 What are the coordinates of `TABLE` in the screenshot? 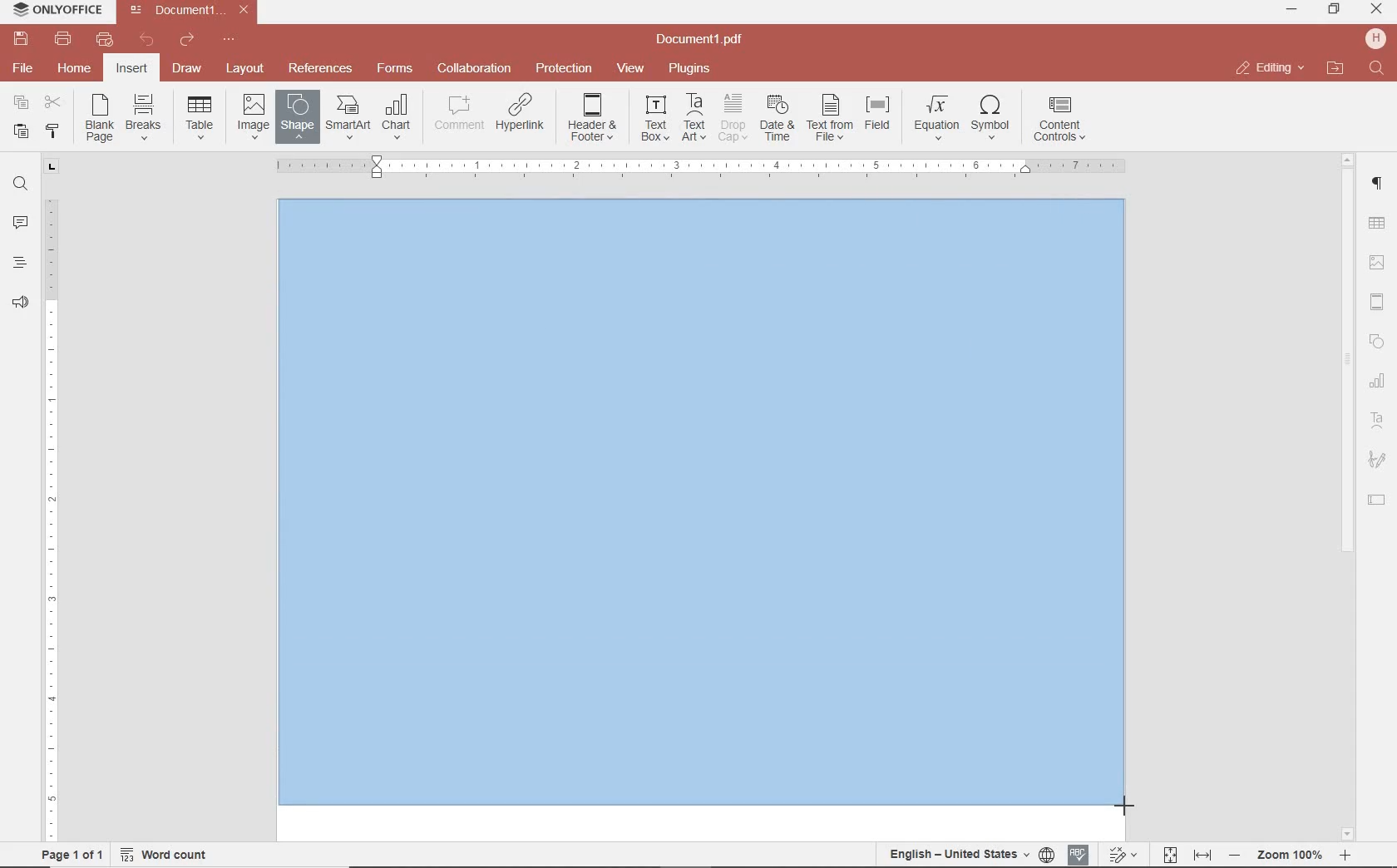 It's located at (1377, 225).